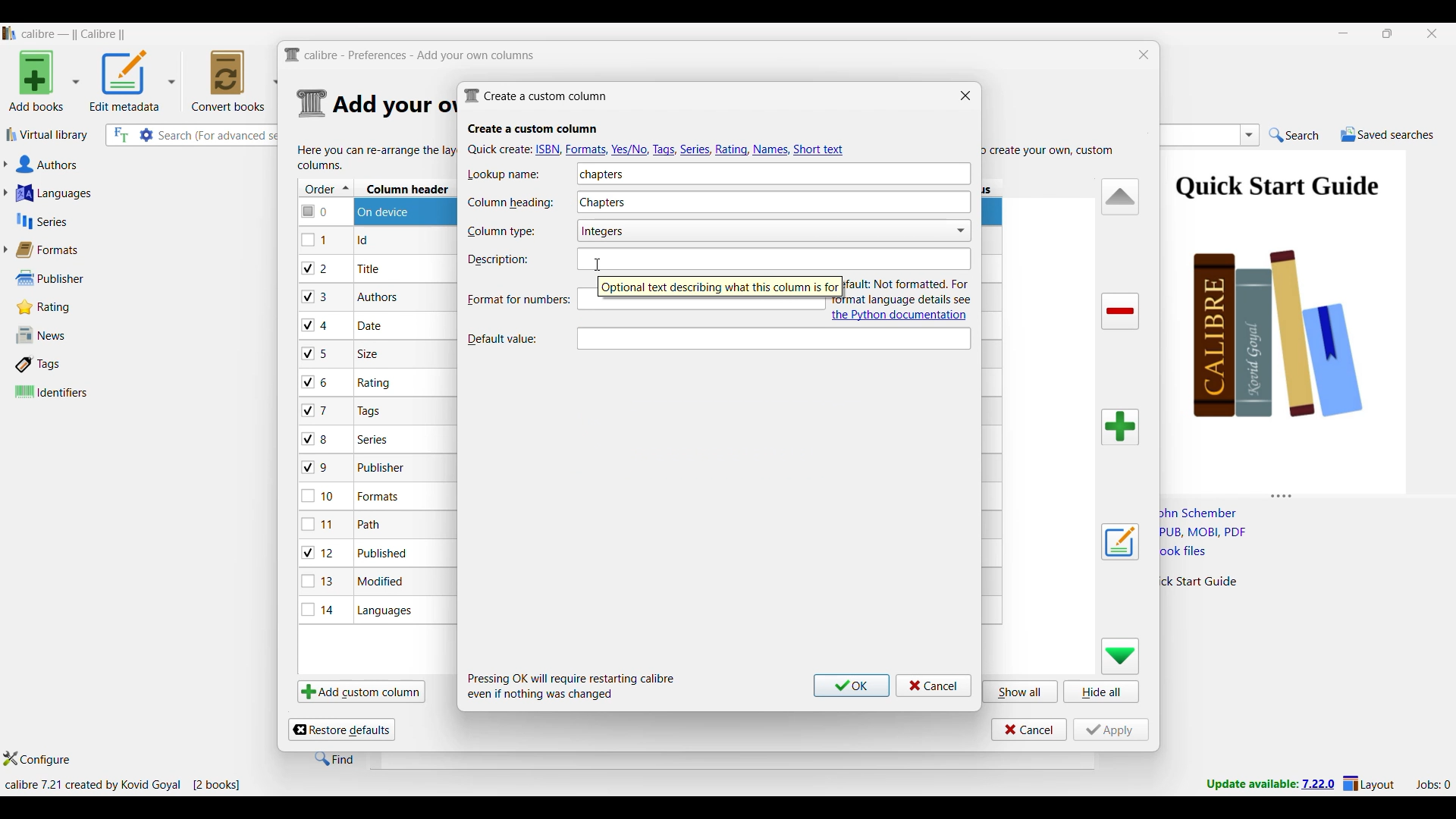 Image resolution: width=1456 pixels, height=819 pixels. Describe the element at coordinates (500, 300) in the screenshot. I see `Format for numbers` at that location.